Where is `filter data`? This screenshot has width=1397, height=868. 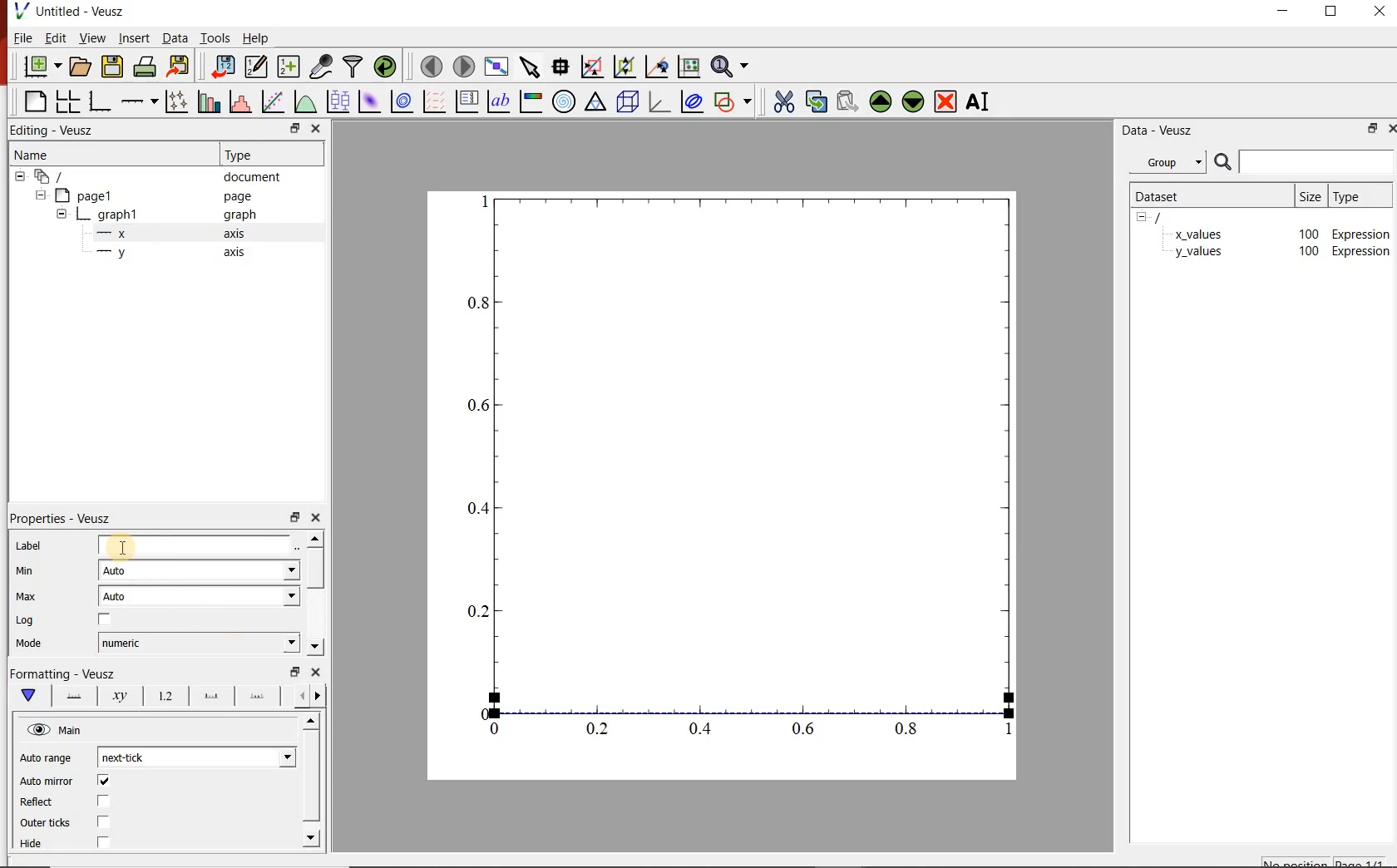 filter data is located at coordinates (353, 67).